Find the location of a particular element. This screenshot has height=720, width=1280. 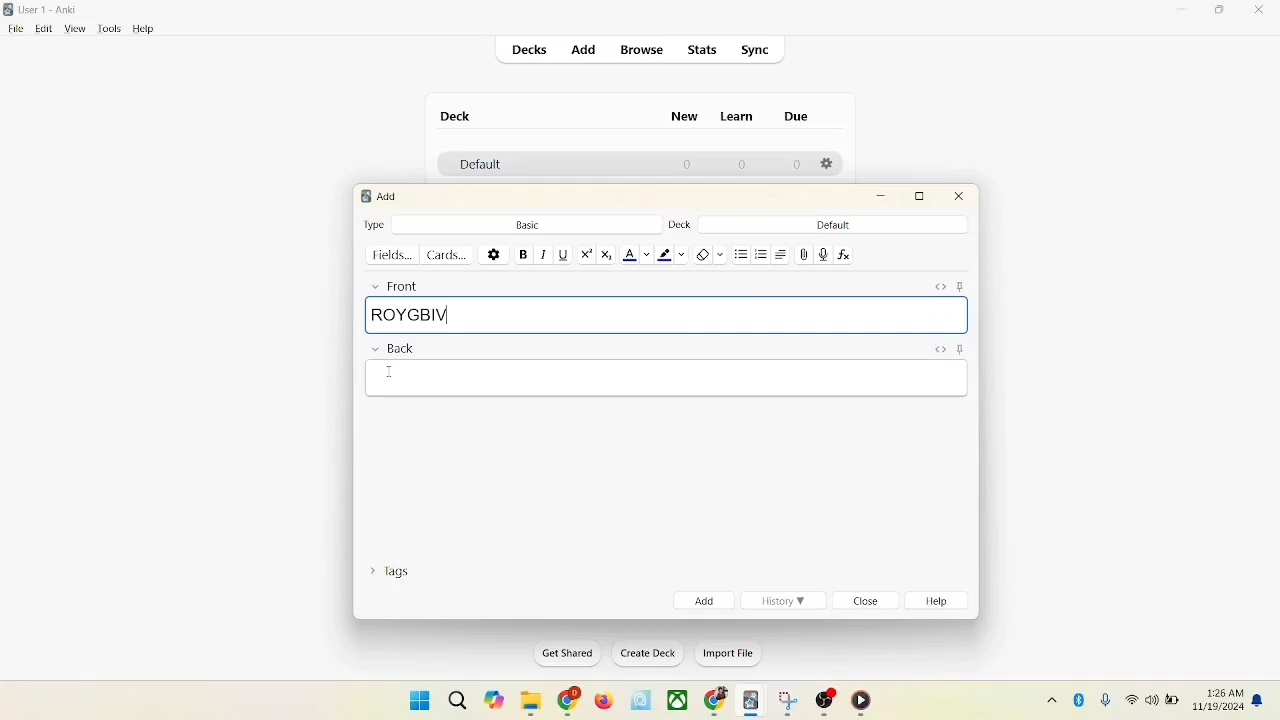

logo is located at coordinates (364, 196).